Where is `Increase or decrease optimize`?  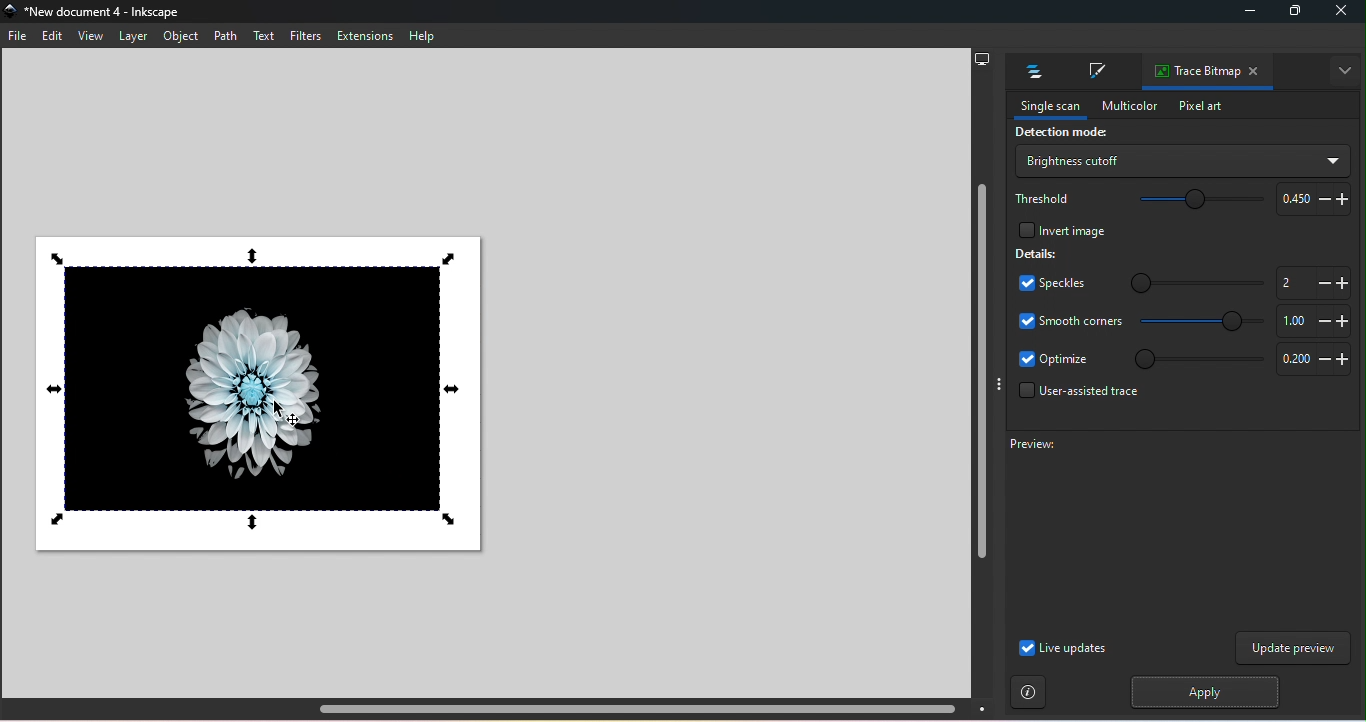 Increase or decrease optimize is located at coordinates (1310, 361).